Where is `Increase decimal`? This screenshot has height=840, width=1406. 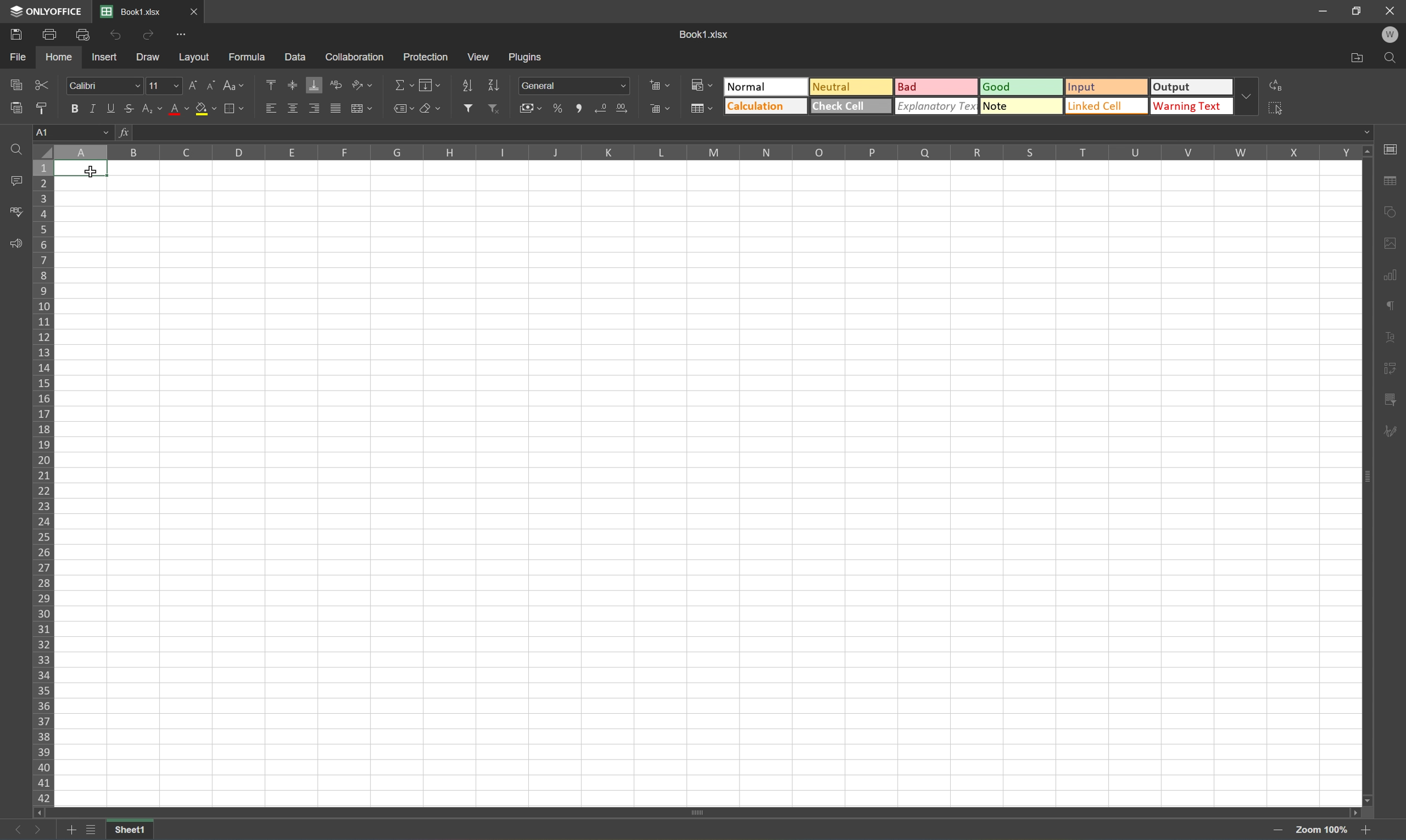 Increase decimal is located at coordinates (623, 109).